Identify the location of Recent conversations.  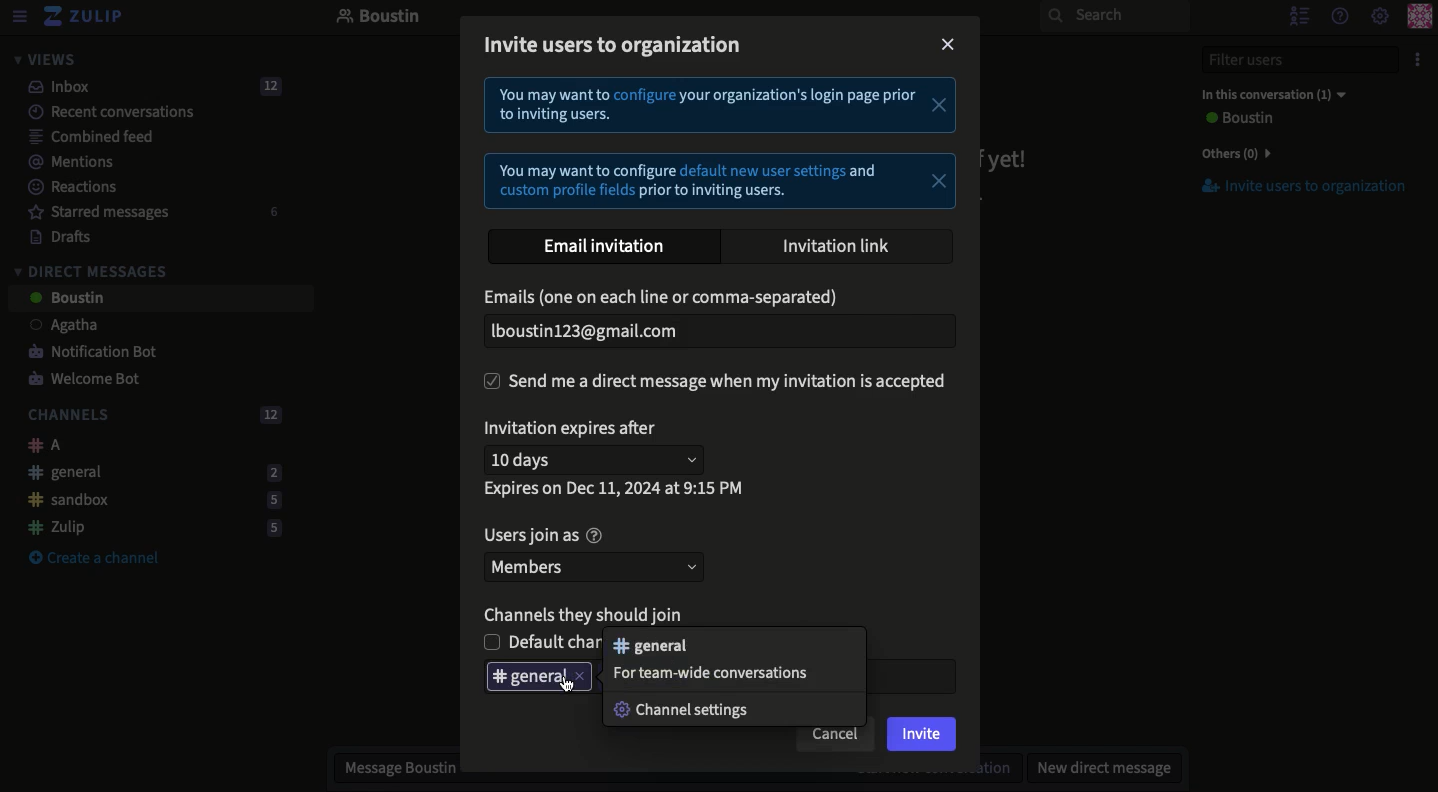
(99, 111).